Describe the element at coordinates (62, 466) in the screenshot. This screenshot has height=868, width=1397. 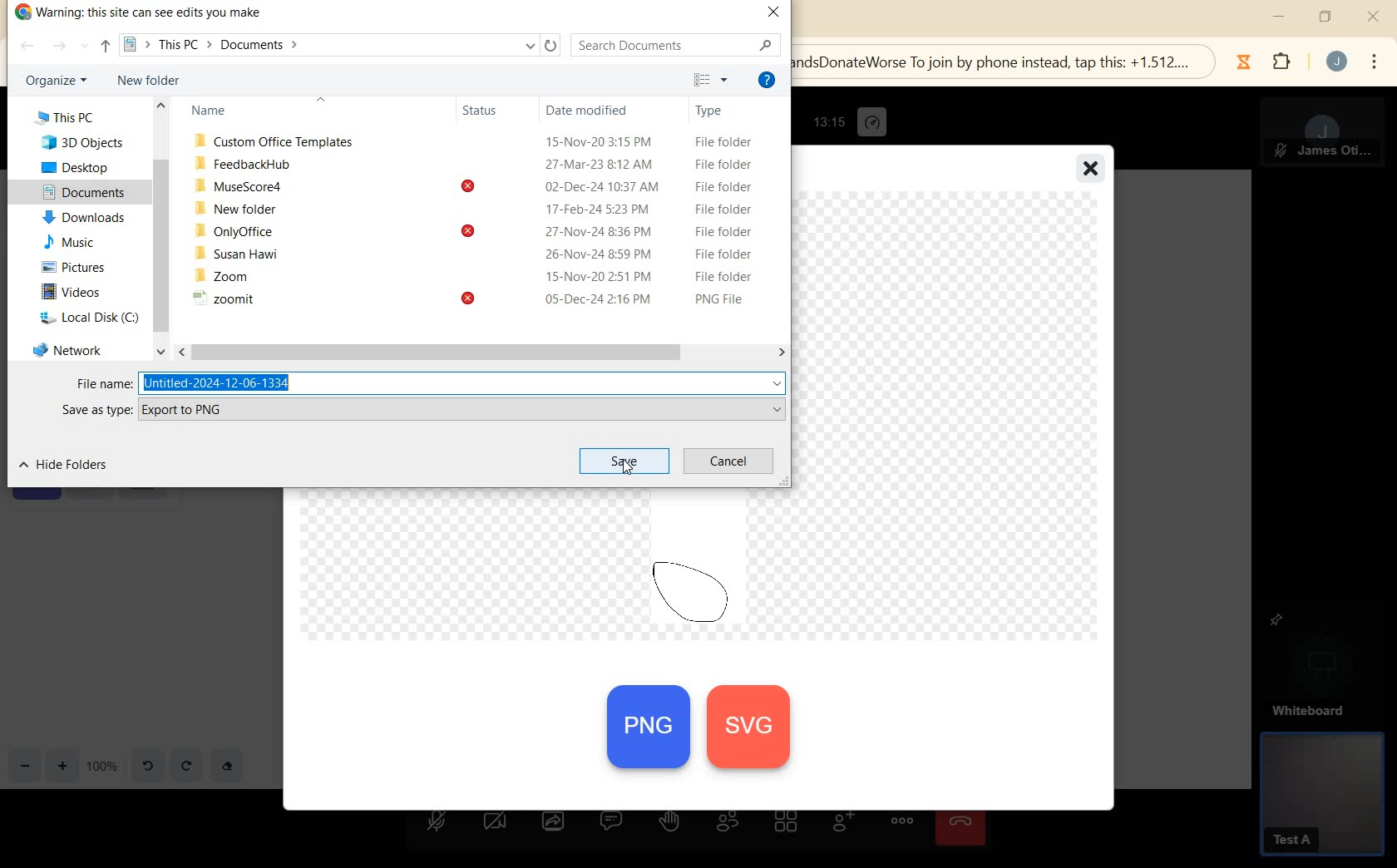
I see `HIDE FOLDERS` at that location.